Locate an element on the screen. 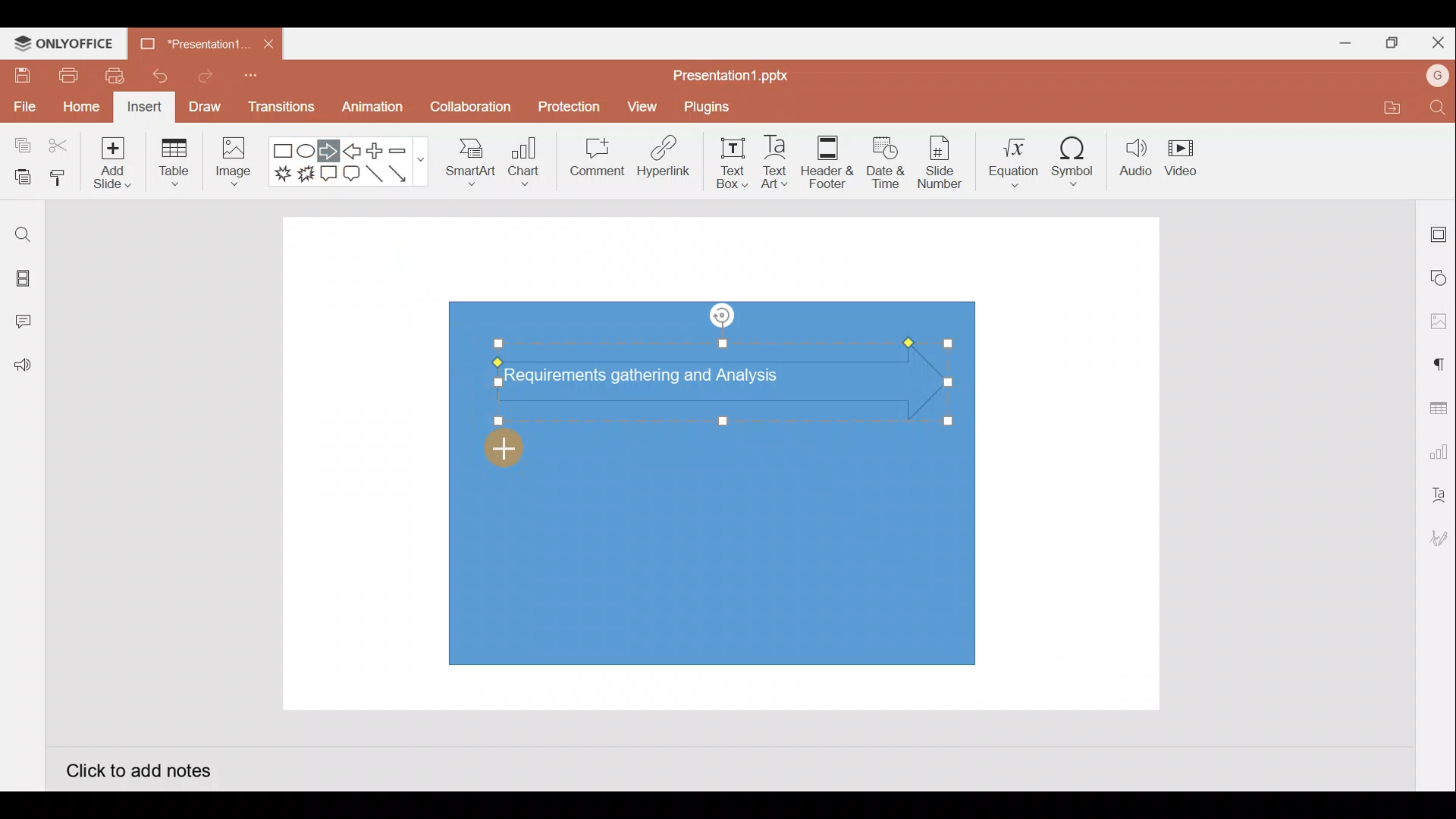 Image resolution: width=1456 pixels, height=819 pixels. Find is located at coordinates (23, 234).